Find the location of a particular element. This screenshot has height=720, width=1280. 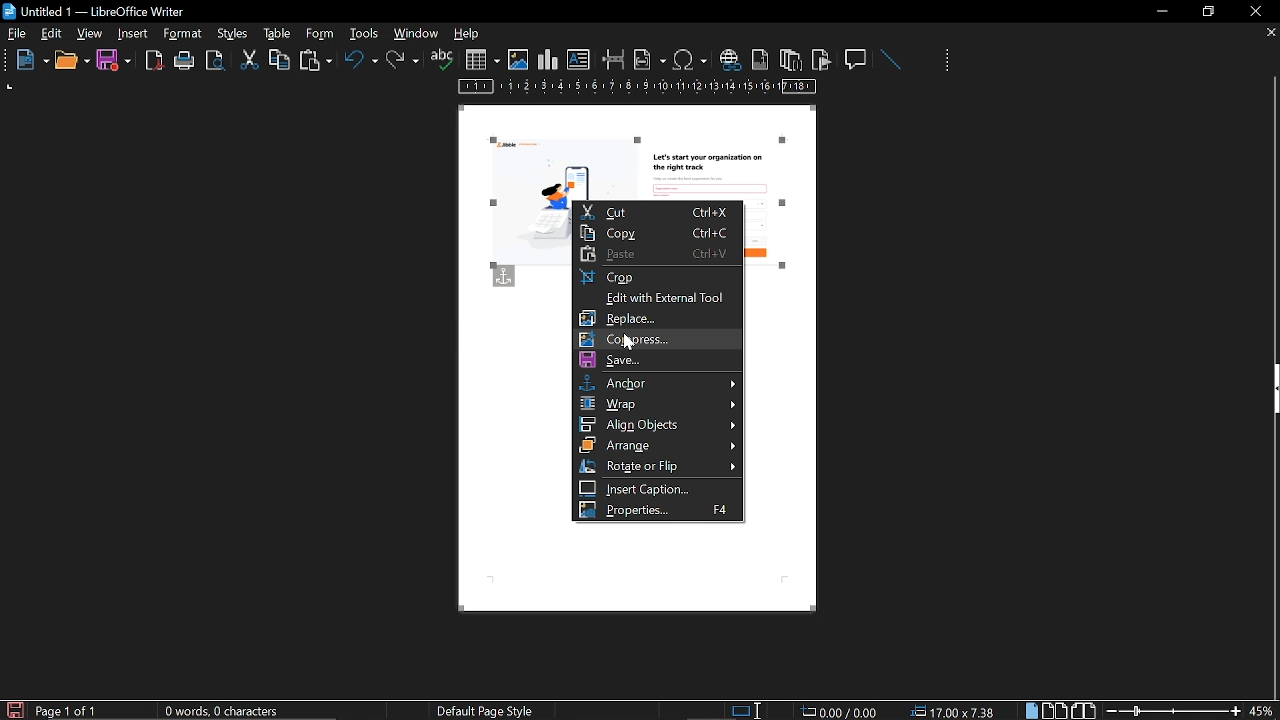

save is located at coordinates (14, 709).